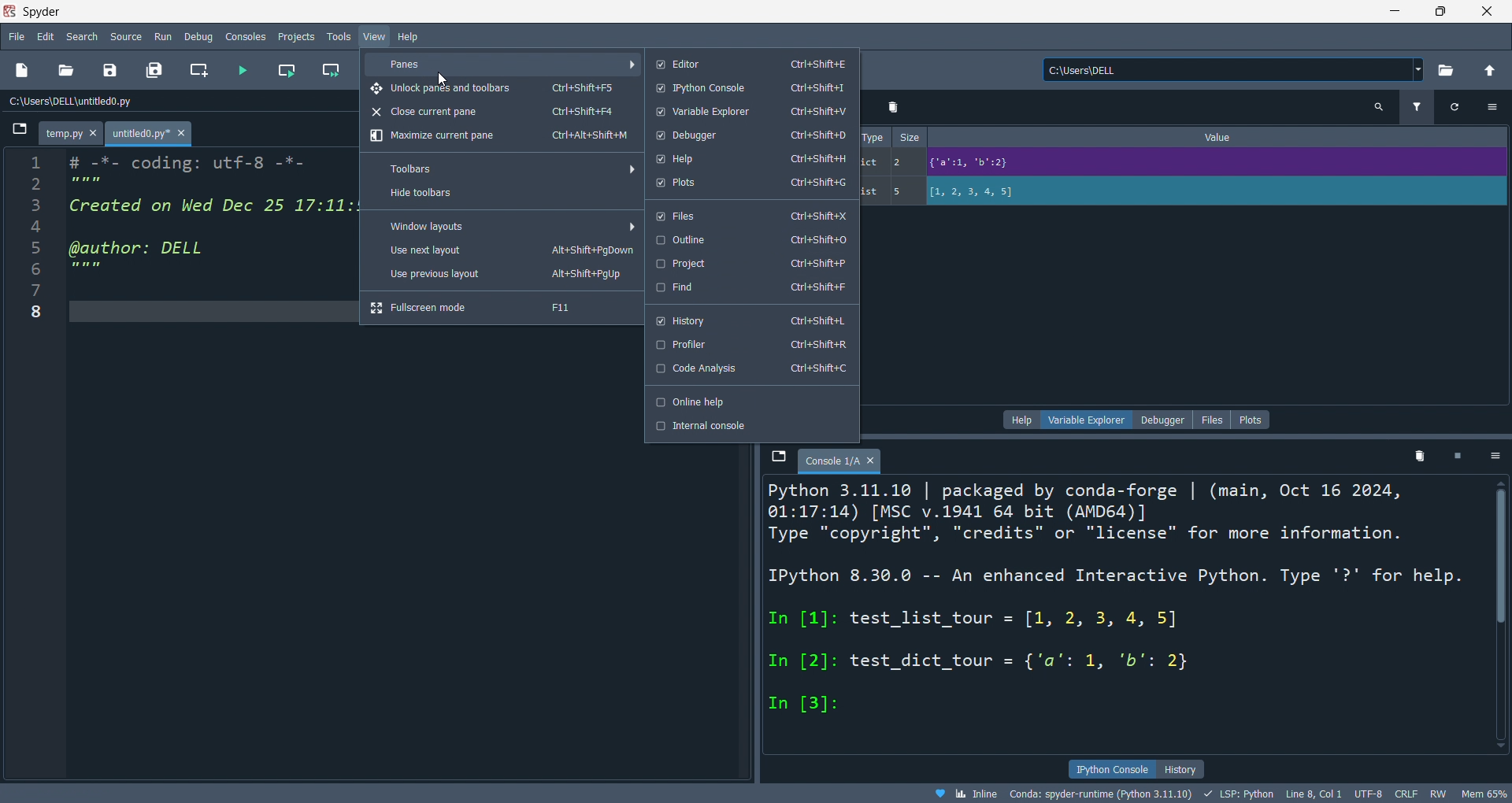  I want to click on hide toolbars, so click(500, 196).